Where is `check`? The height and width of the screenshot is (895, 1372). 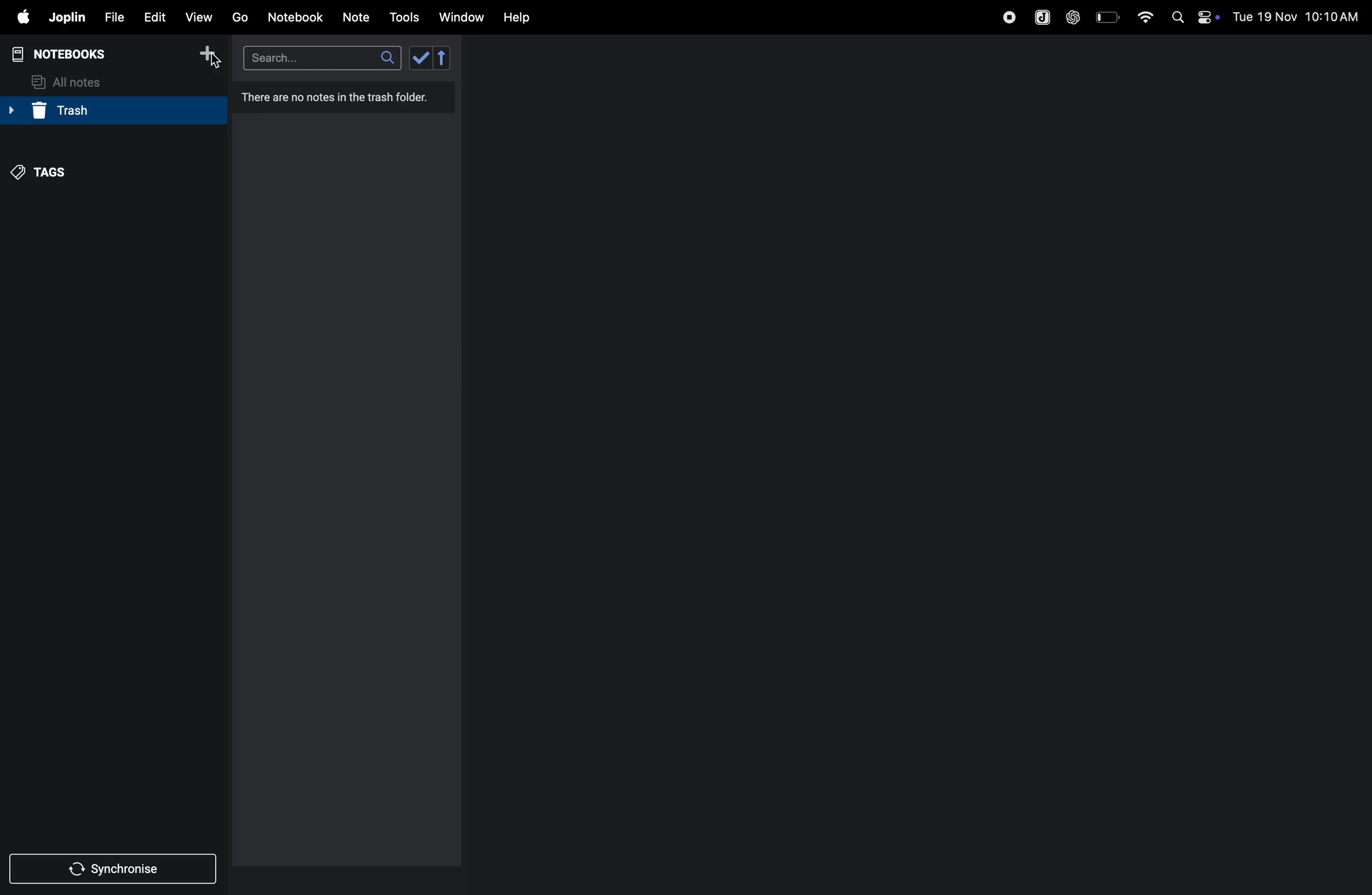 check is located at coordinates (431, 59).